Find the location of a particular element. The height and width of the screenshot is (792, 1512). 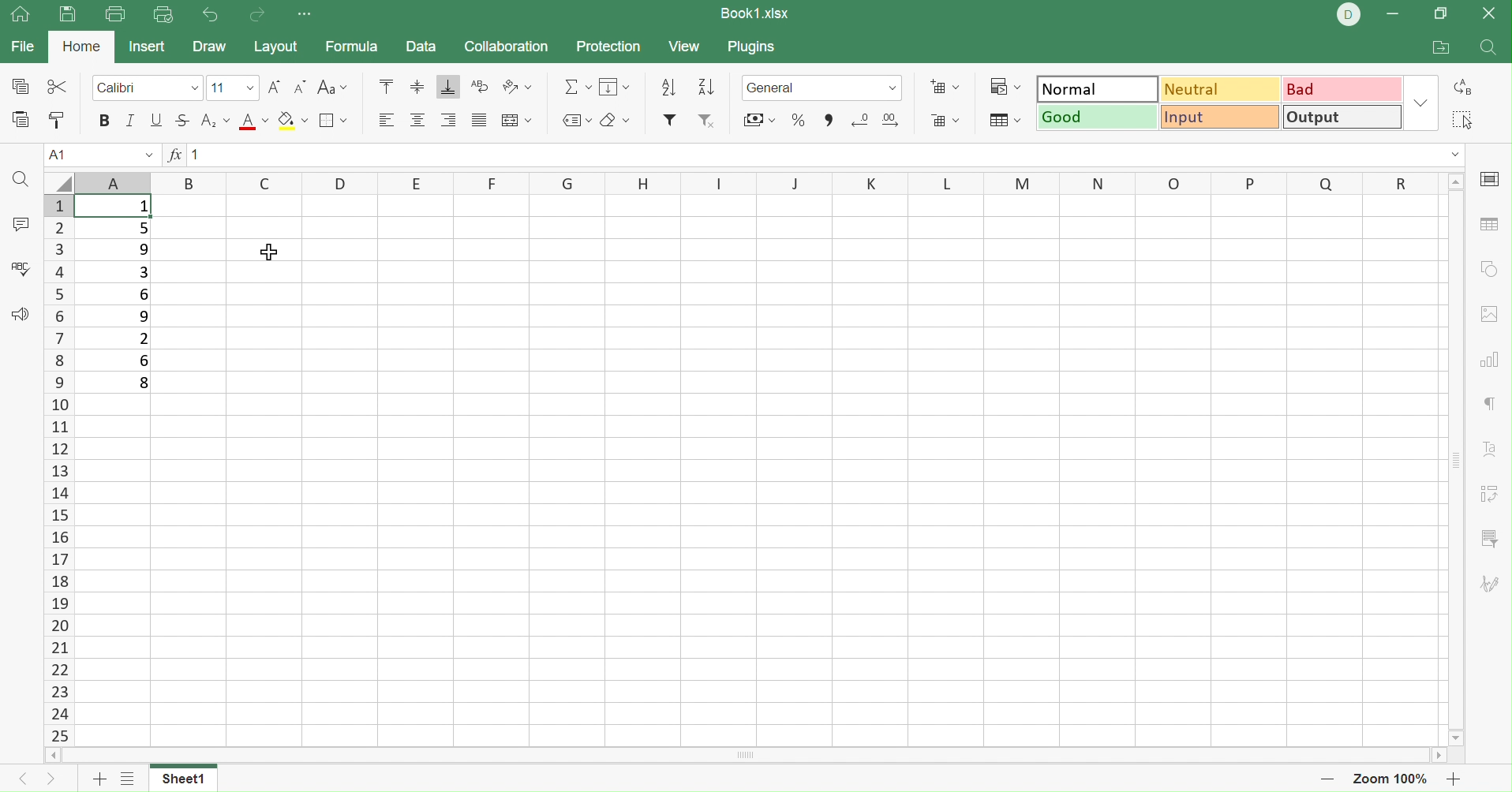

Increase decimal is located at coordinates (897, 121).